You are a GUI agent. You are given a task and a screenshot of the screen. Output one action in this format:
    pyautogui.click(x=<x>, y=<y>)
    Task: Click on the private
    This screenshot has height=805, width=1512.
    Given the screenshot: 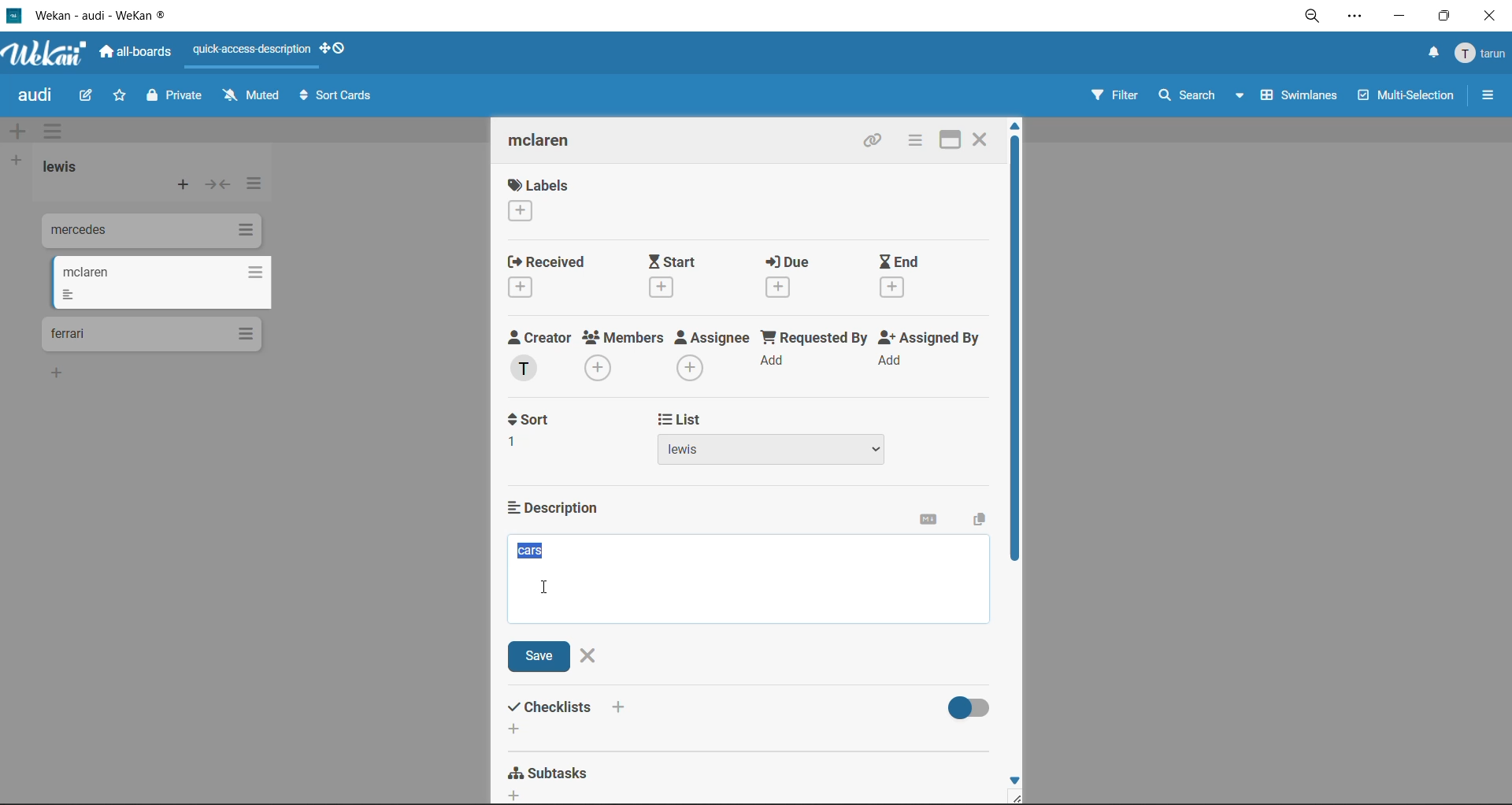 What is the action you would take?
    pyautogui.click(x=177, y=98)
    